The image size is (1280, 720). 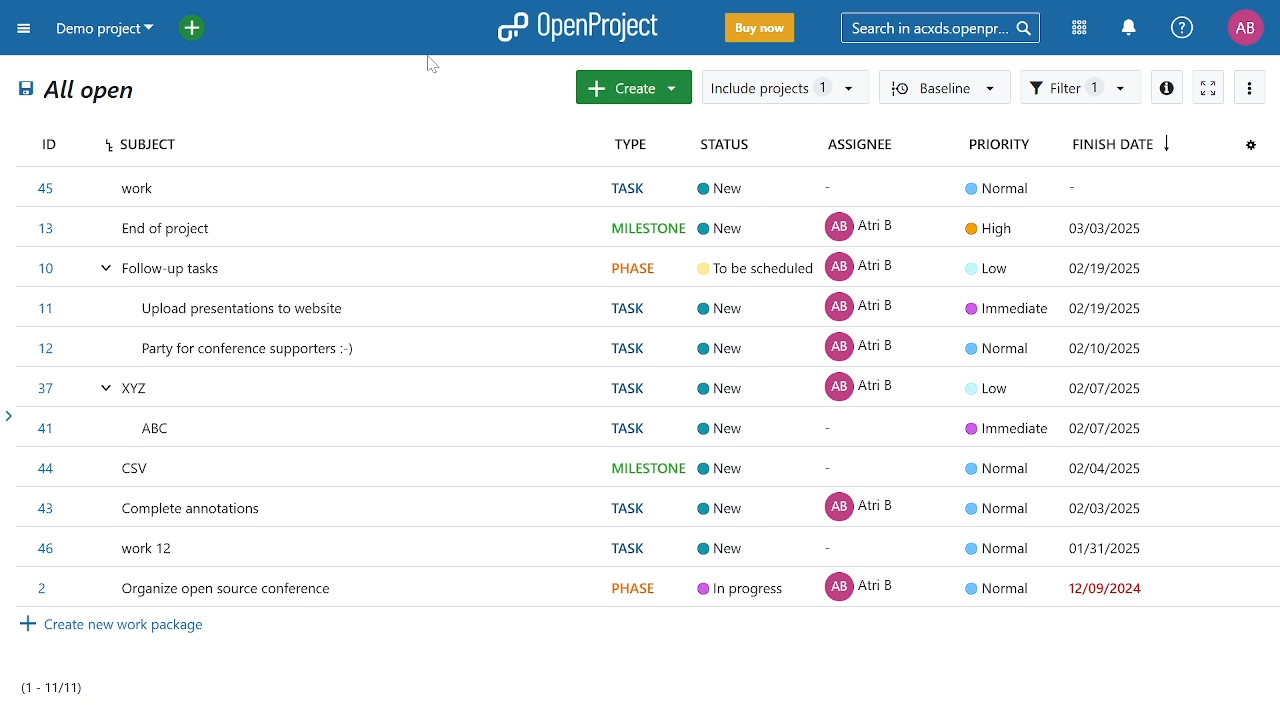 I want to click on task titled "CSV", so click(x=653, y=505).